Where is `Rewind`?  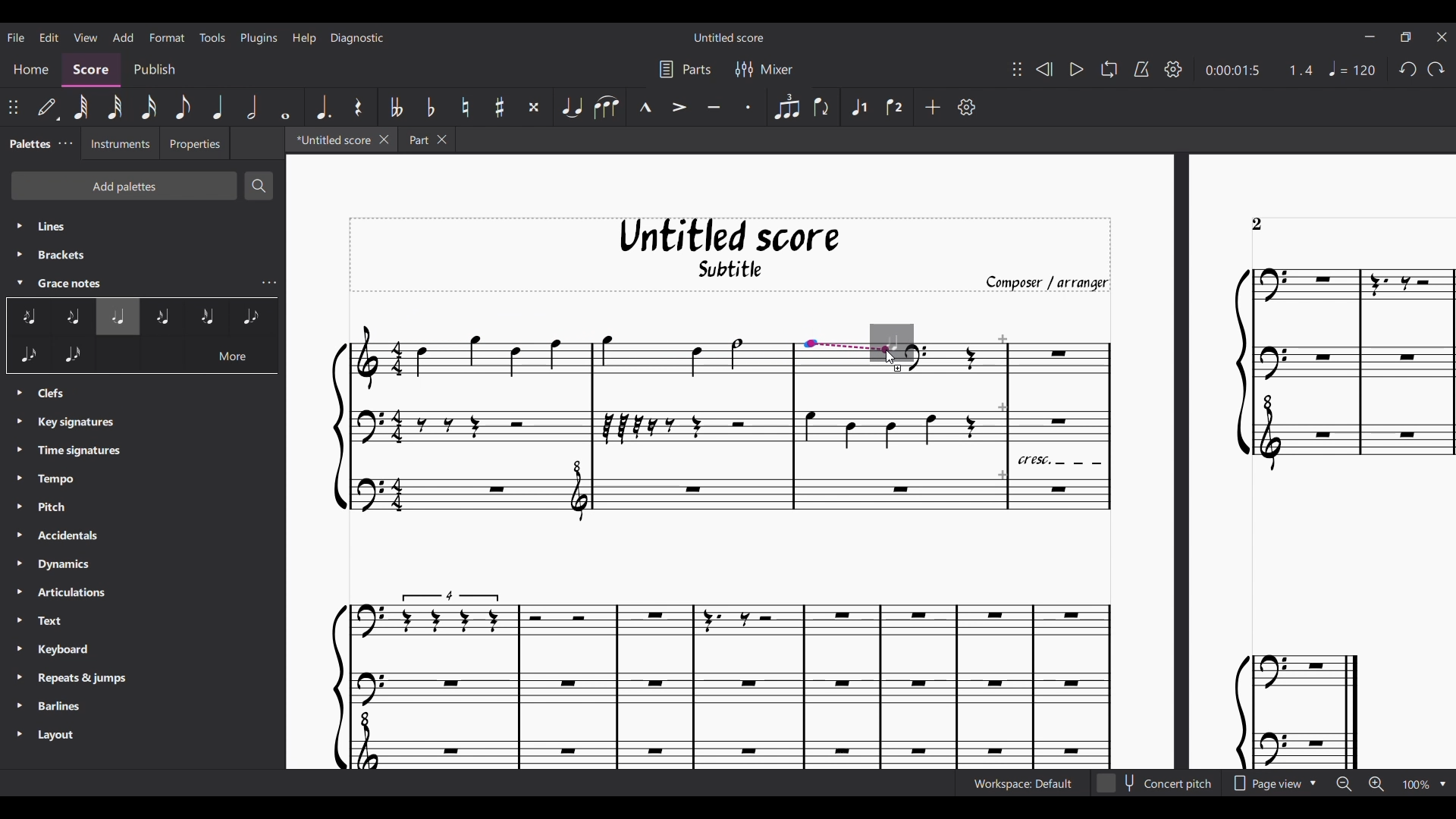
Rewind is located at coordinates (1043, 68).